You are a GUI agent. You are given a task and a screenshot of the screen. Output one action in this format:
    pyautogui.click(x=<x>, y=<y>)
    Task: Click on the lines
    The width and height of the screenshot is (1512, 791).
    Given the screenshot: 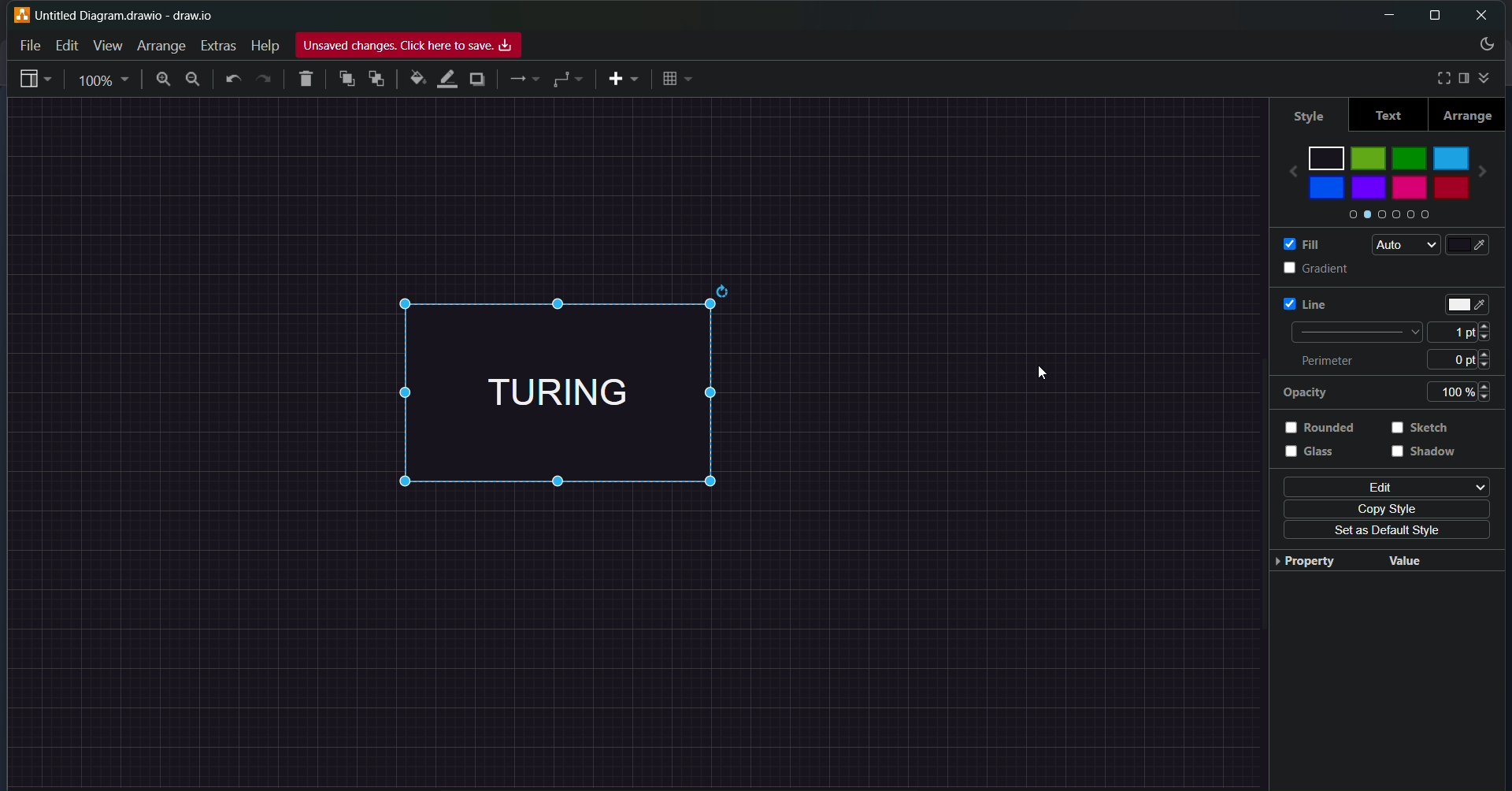 What is the action you would take?
    pyautogui.click(x=524, y=81)
    